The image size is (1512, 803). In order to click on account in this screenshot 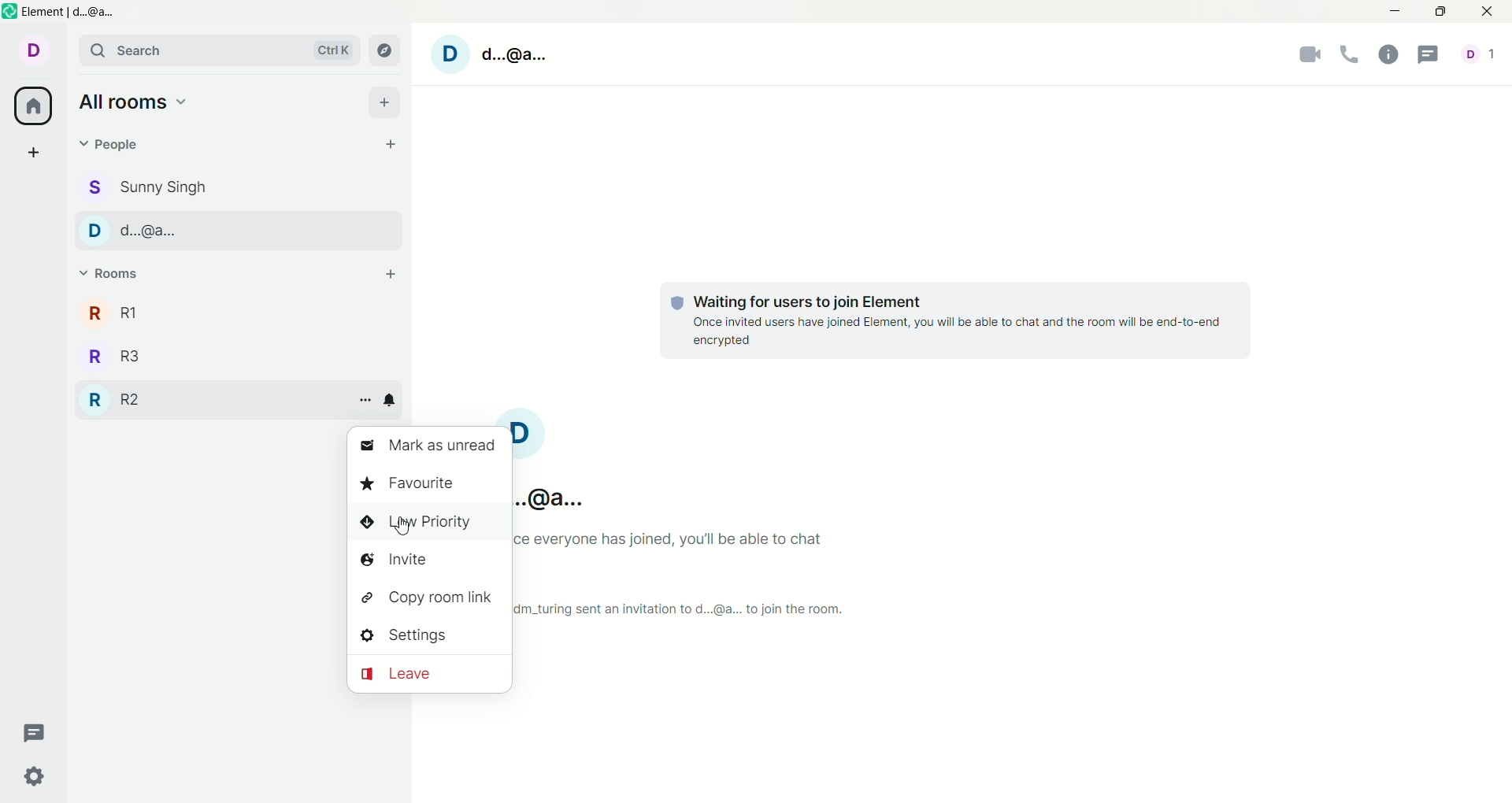, I will do `click(493, 54)`.